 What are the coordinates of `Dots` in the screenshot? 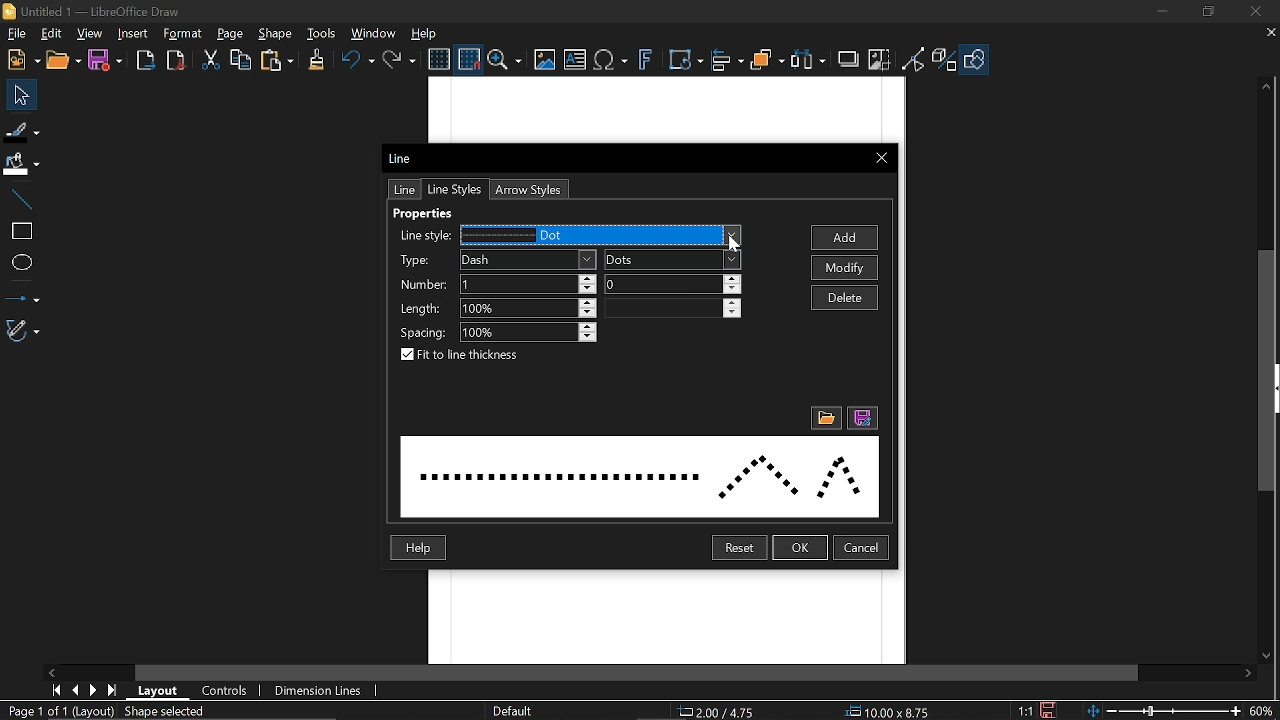 It's located at (673, 260).